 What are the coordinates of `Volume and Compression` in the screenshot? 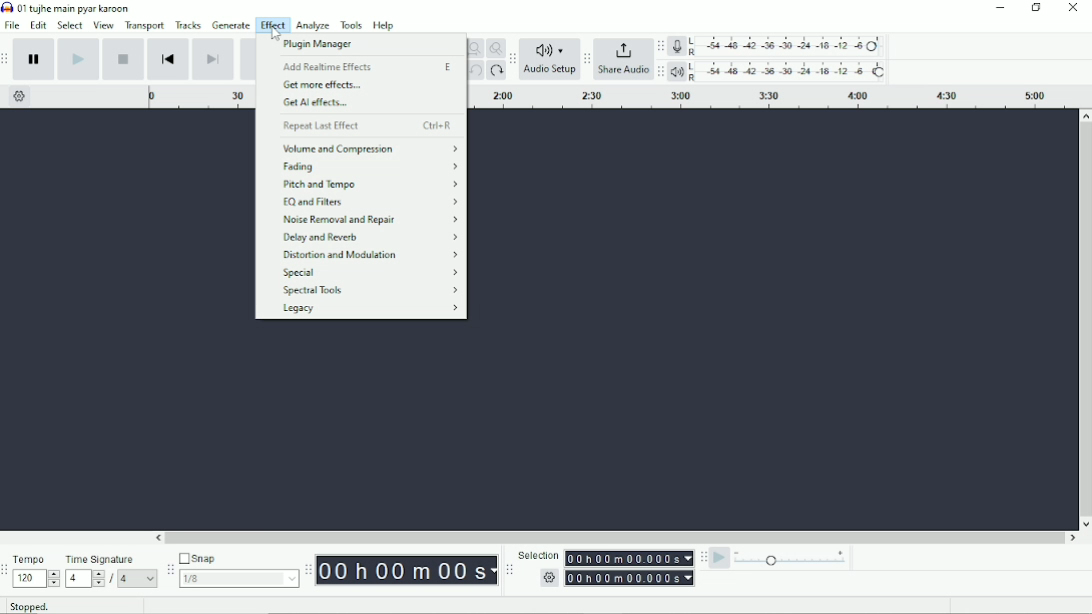 It's located at (367, 148).